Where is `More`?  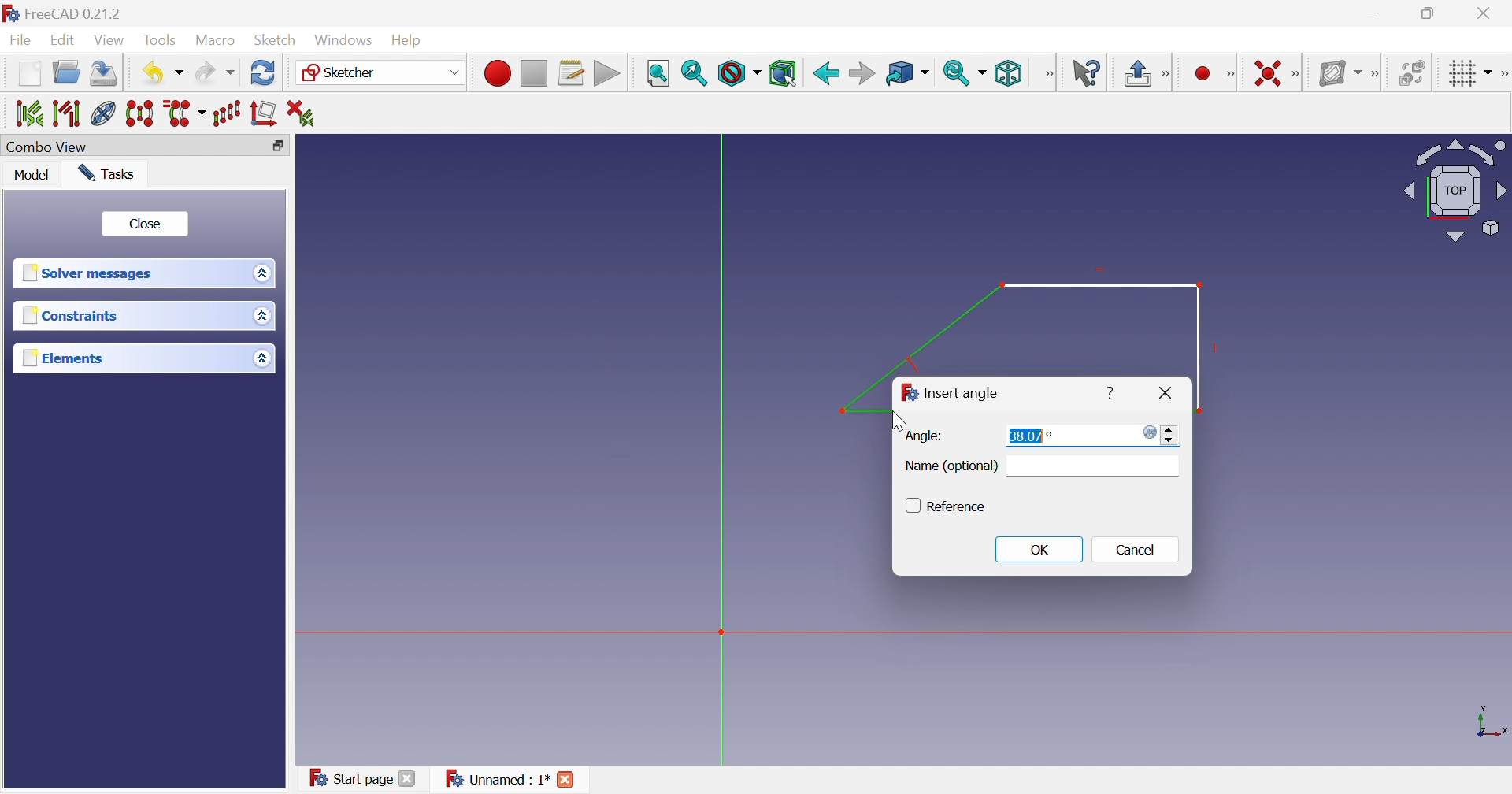
More is located at coordinates (1298, 72).